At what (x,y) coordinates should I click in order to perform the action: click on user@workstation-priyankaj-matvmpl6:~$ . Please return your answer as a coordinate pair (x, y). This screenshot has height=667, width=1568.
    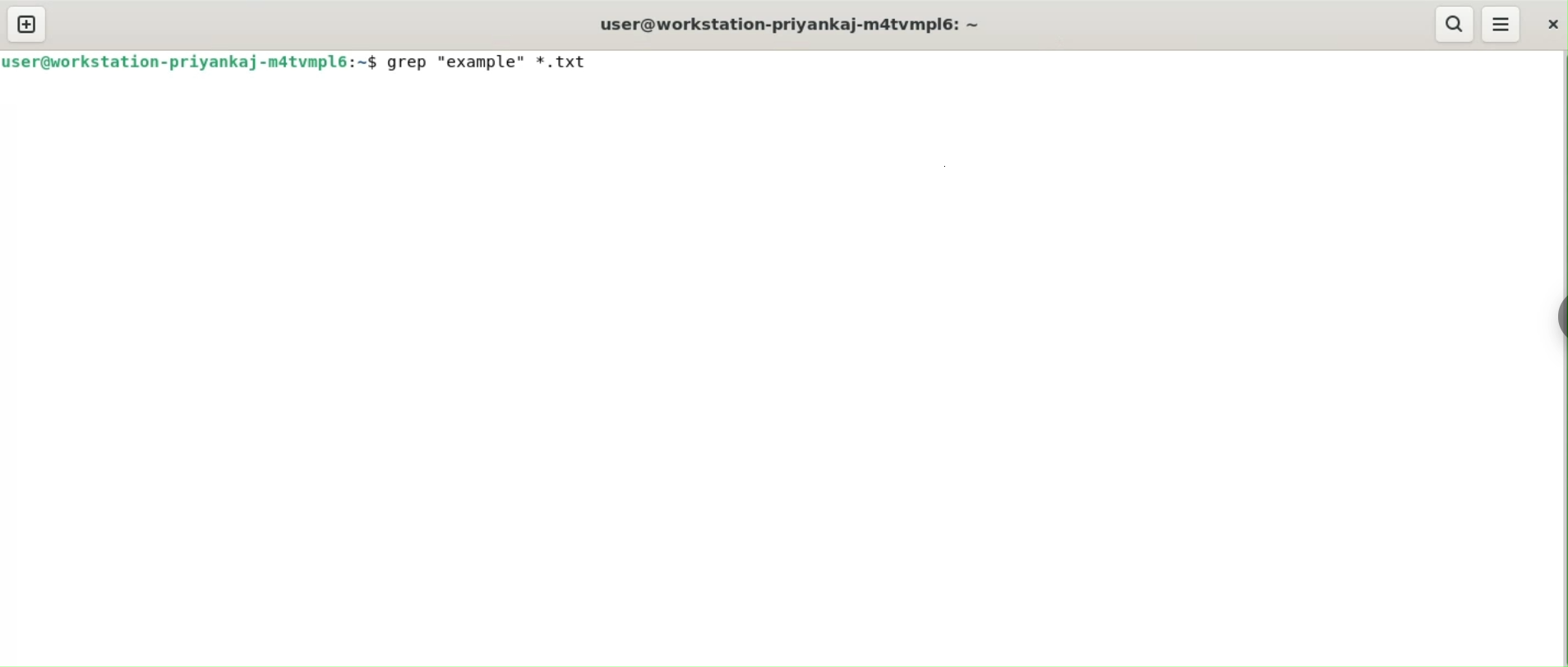
    Looking at the image, I should click on (191, 61).